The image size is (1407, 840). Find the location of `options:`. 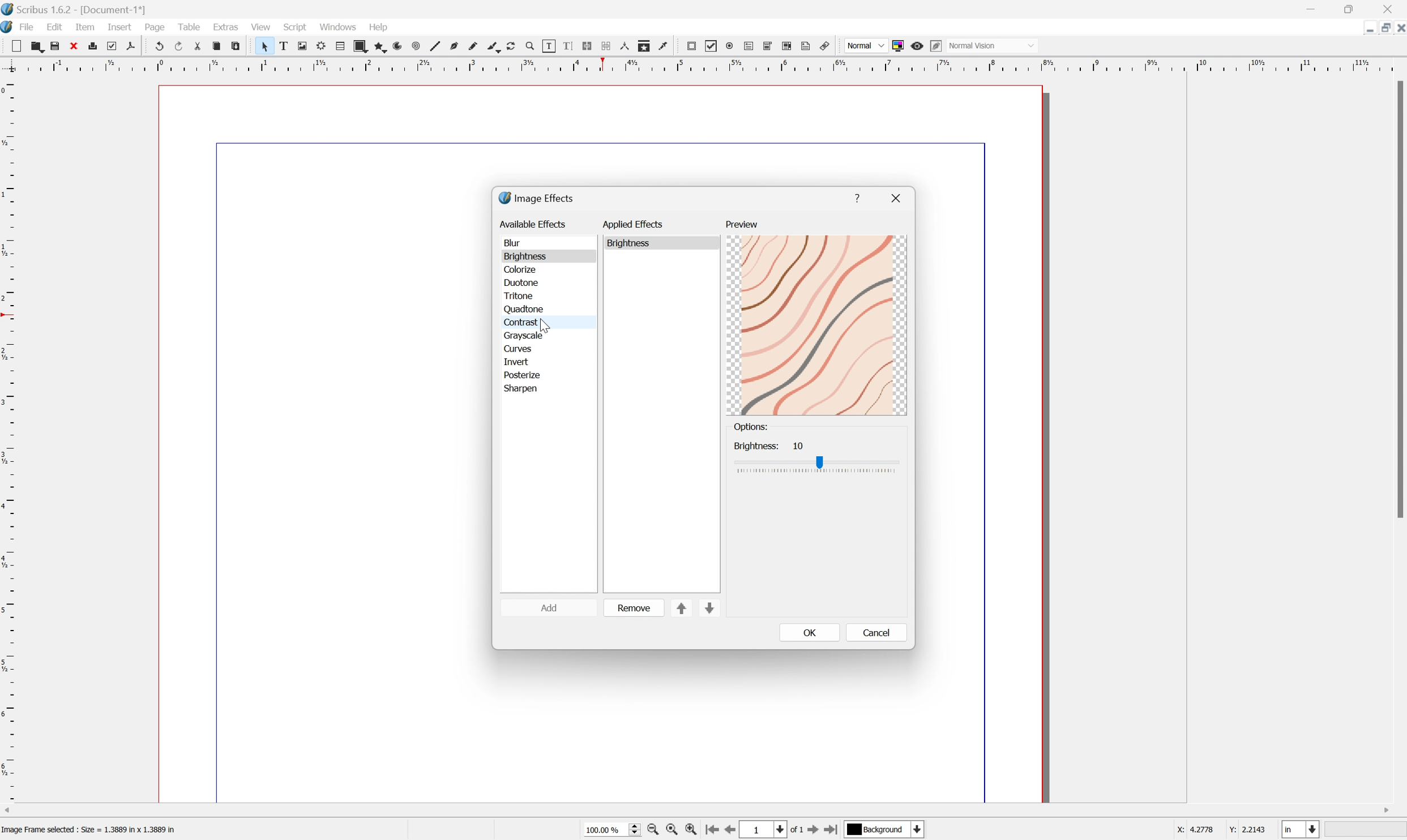

options: is located at coordinates (752, 429).